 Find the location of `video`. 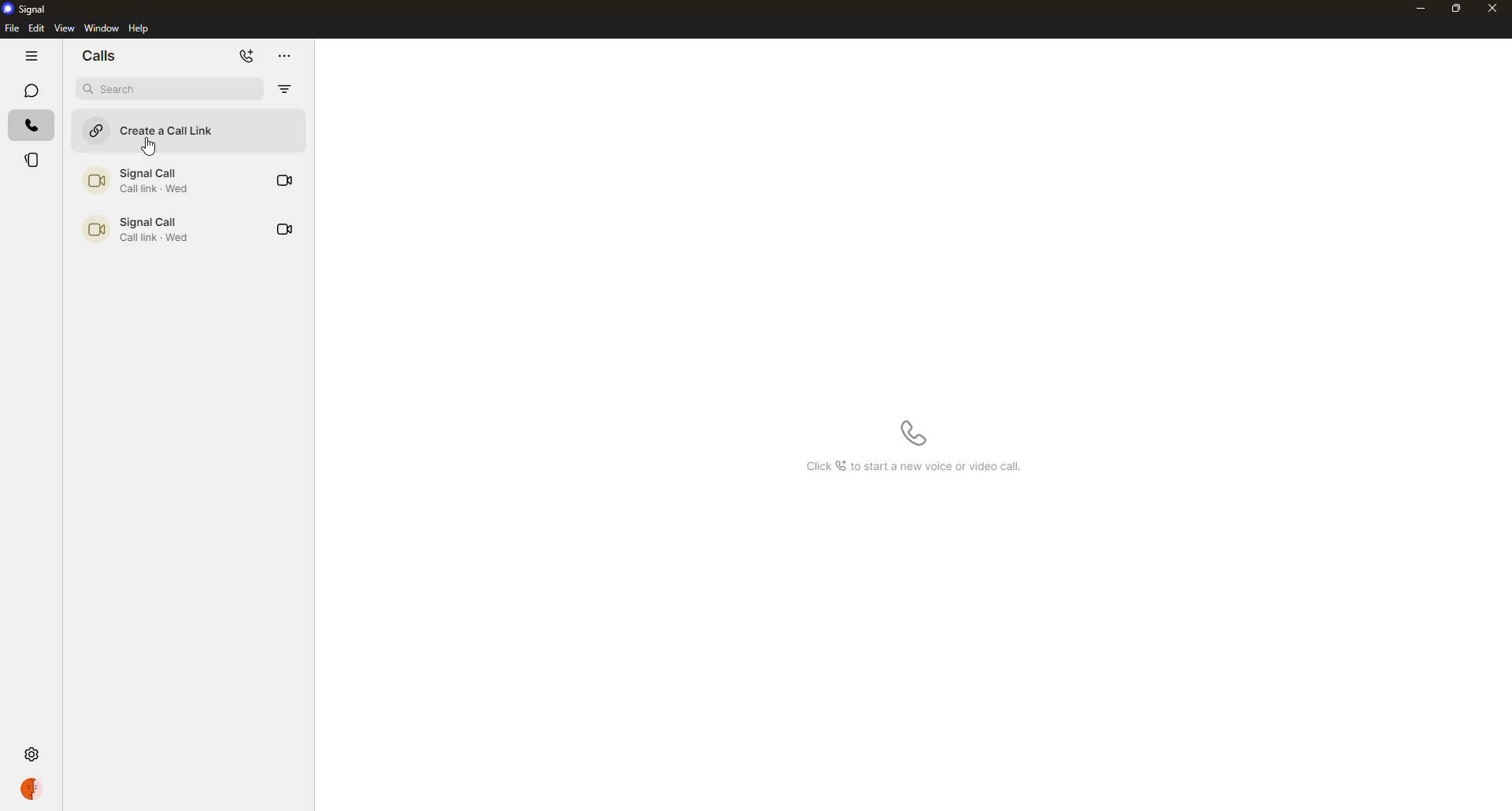

video is located at coordinates (285, 227).